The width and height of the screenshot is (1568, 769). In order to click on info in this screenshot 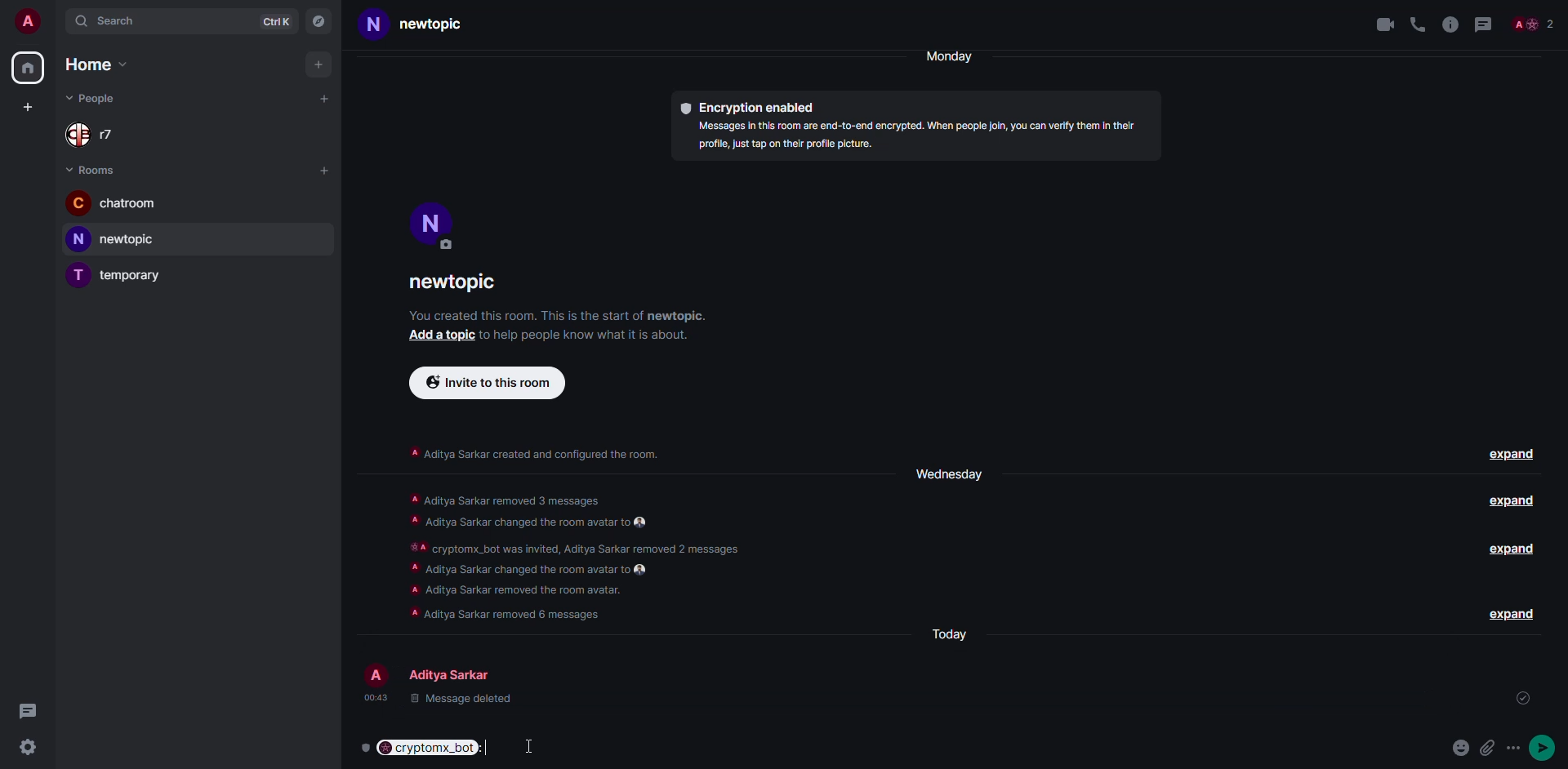, I will do `click(1450, 24)`.